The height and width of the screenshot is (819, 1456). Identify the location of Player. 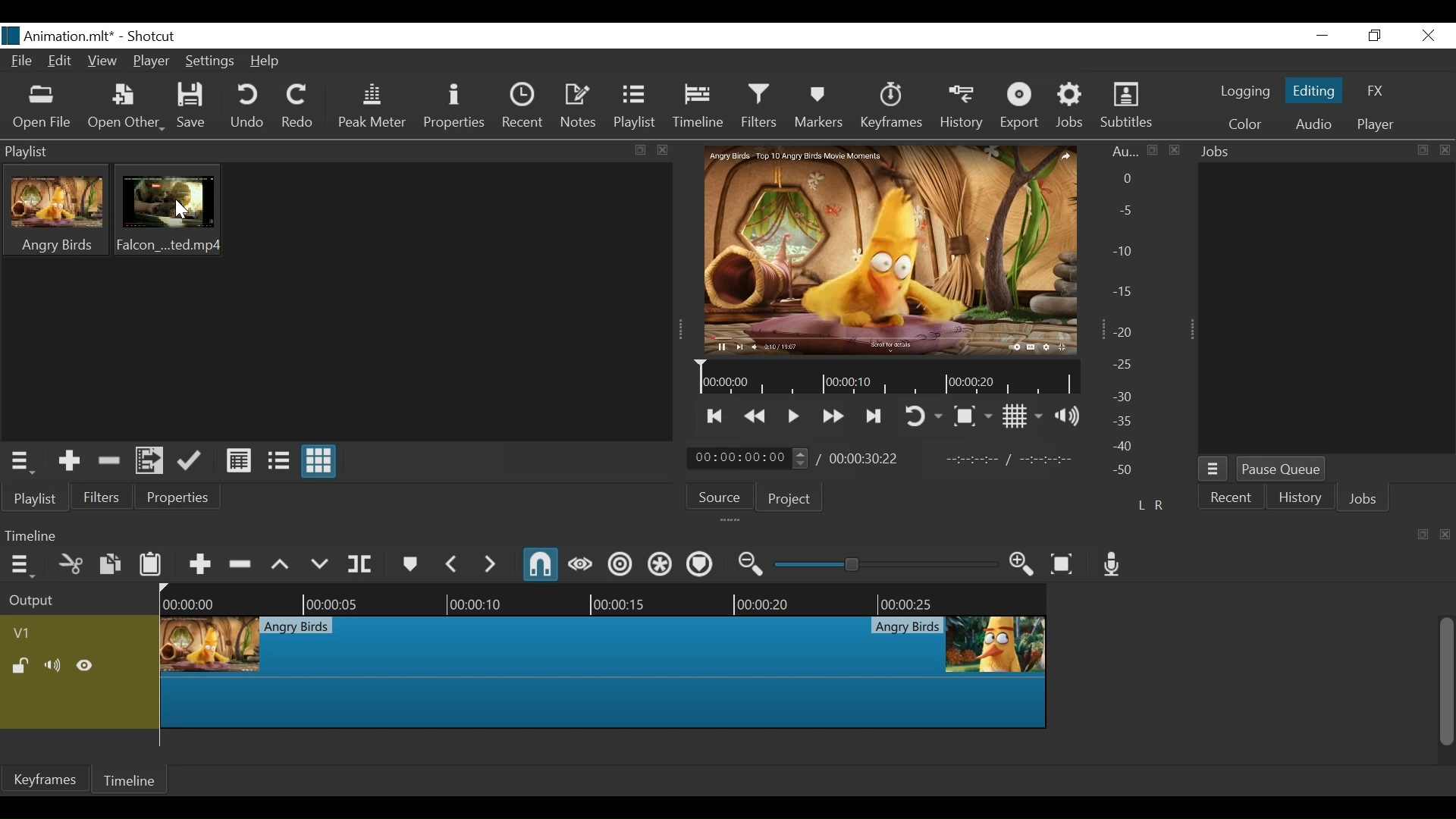
(149, 60).